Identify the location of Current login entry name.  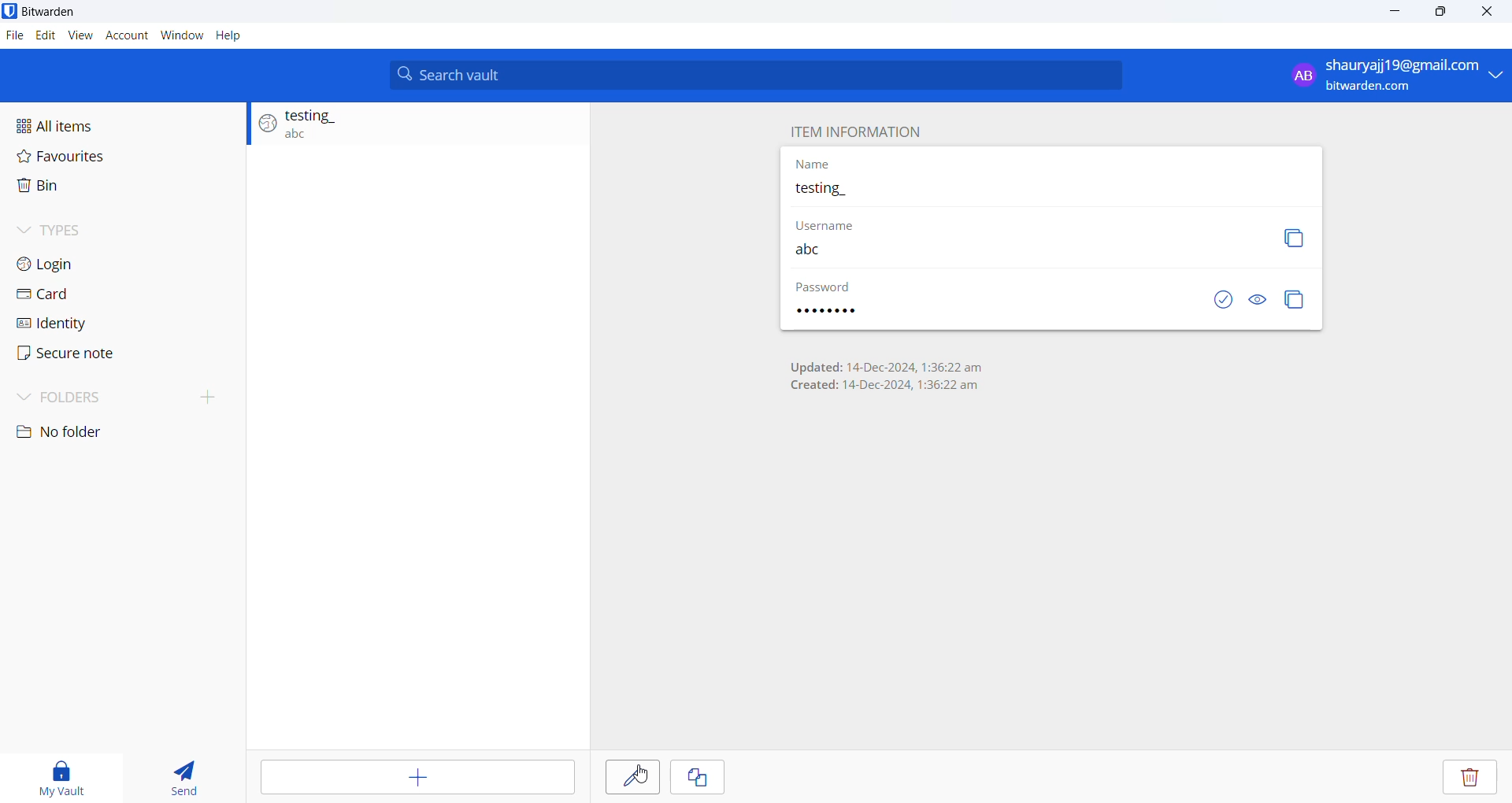
(1051, 191).